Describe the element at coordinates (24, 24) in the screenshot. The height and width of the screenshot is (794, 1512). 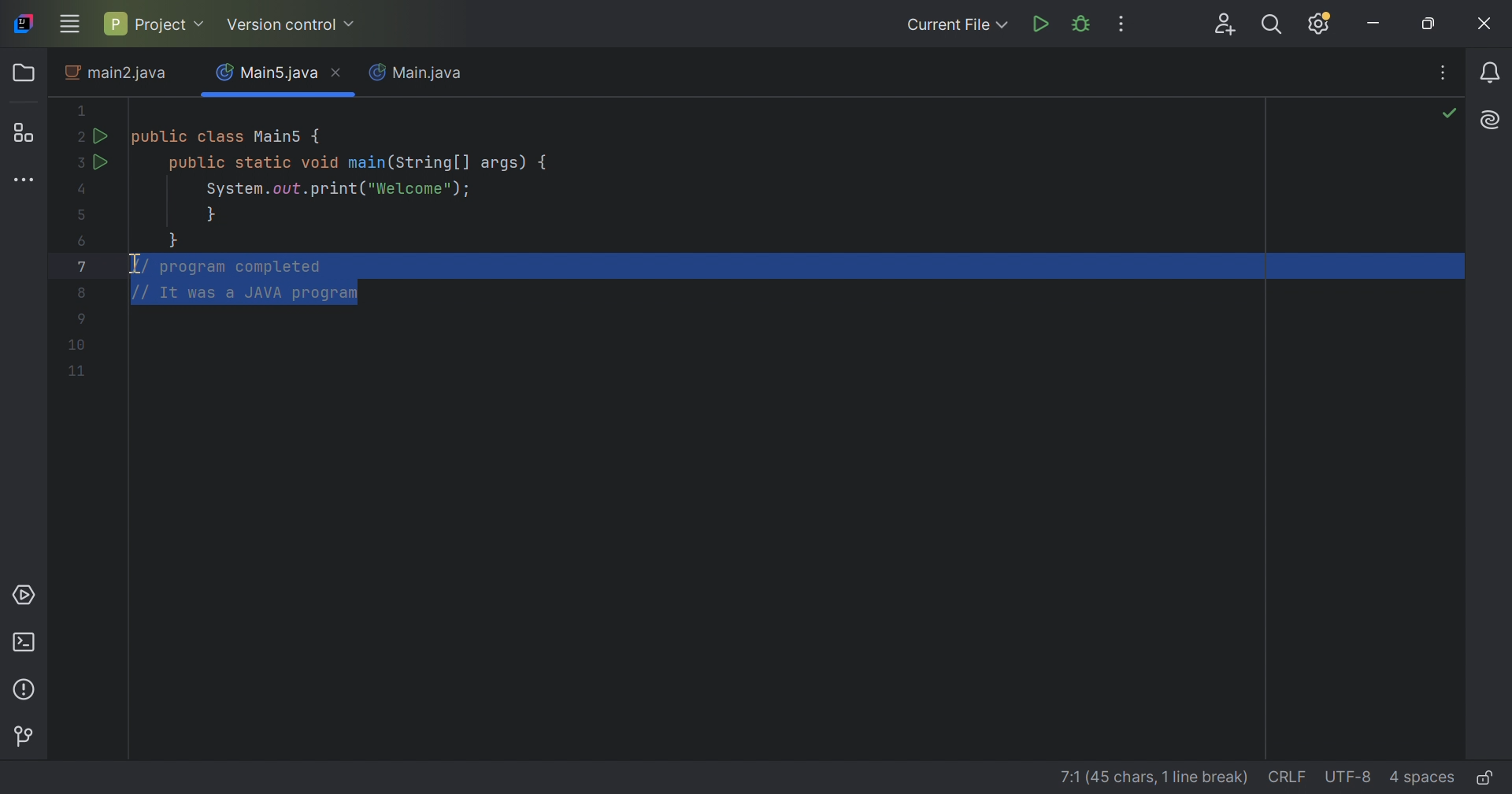
I see `IntelliJ icon` at that location.